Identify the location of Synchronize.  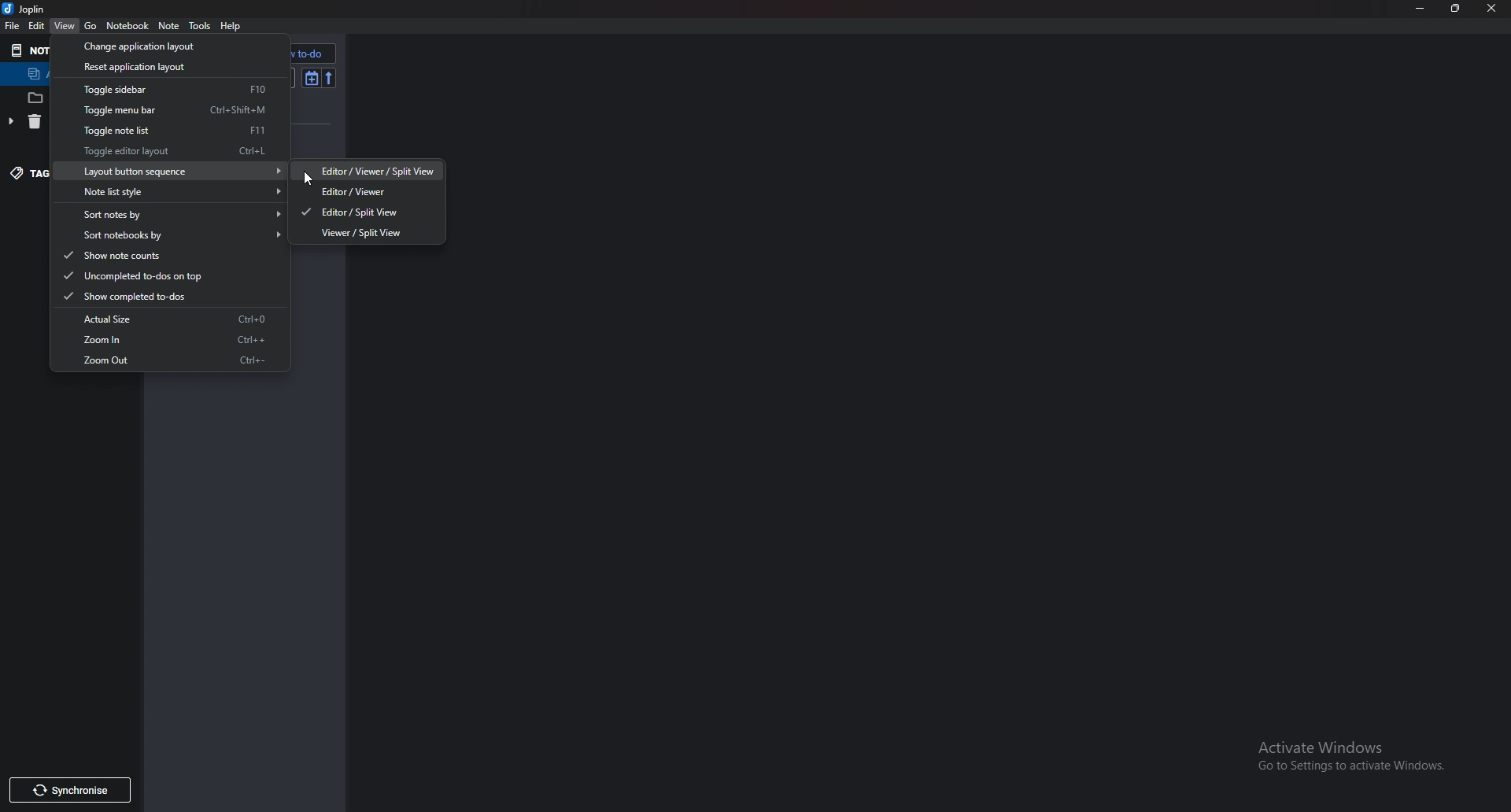
(68, 791).